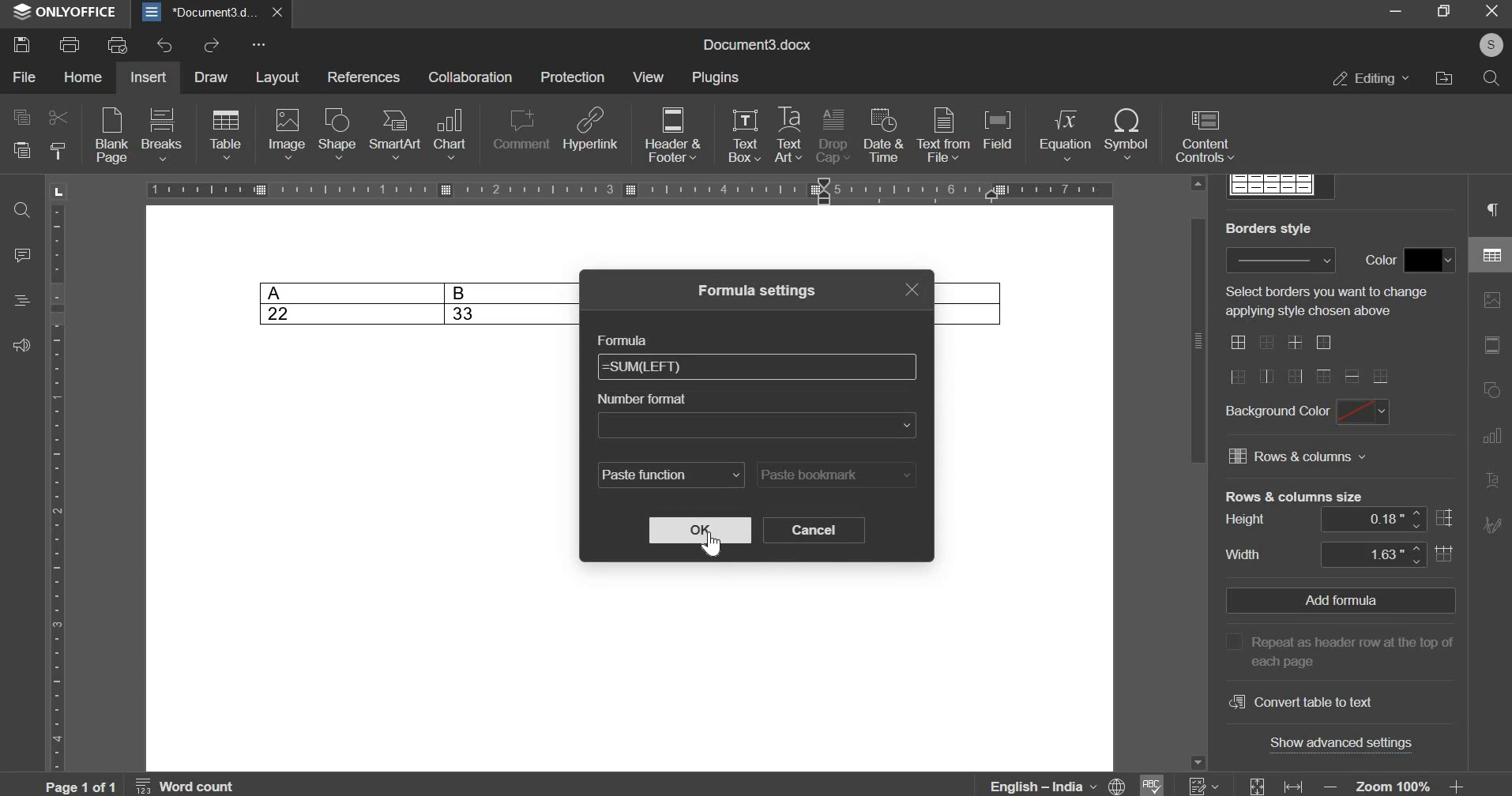 The height and width of the screenshot is (796, 1512). I want to click on Document3.docx, so click(755, 45).